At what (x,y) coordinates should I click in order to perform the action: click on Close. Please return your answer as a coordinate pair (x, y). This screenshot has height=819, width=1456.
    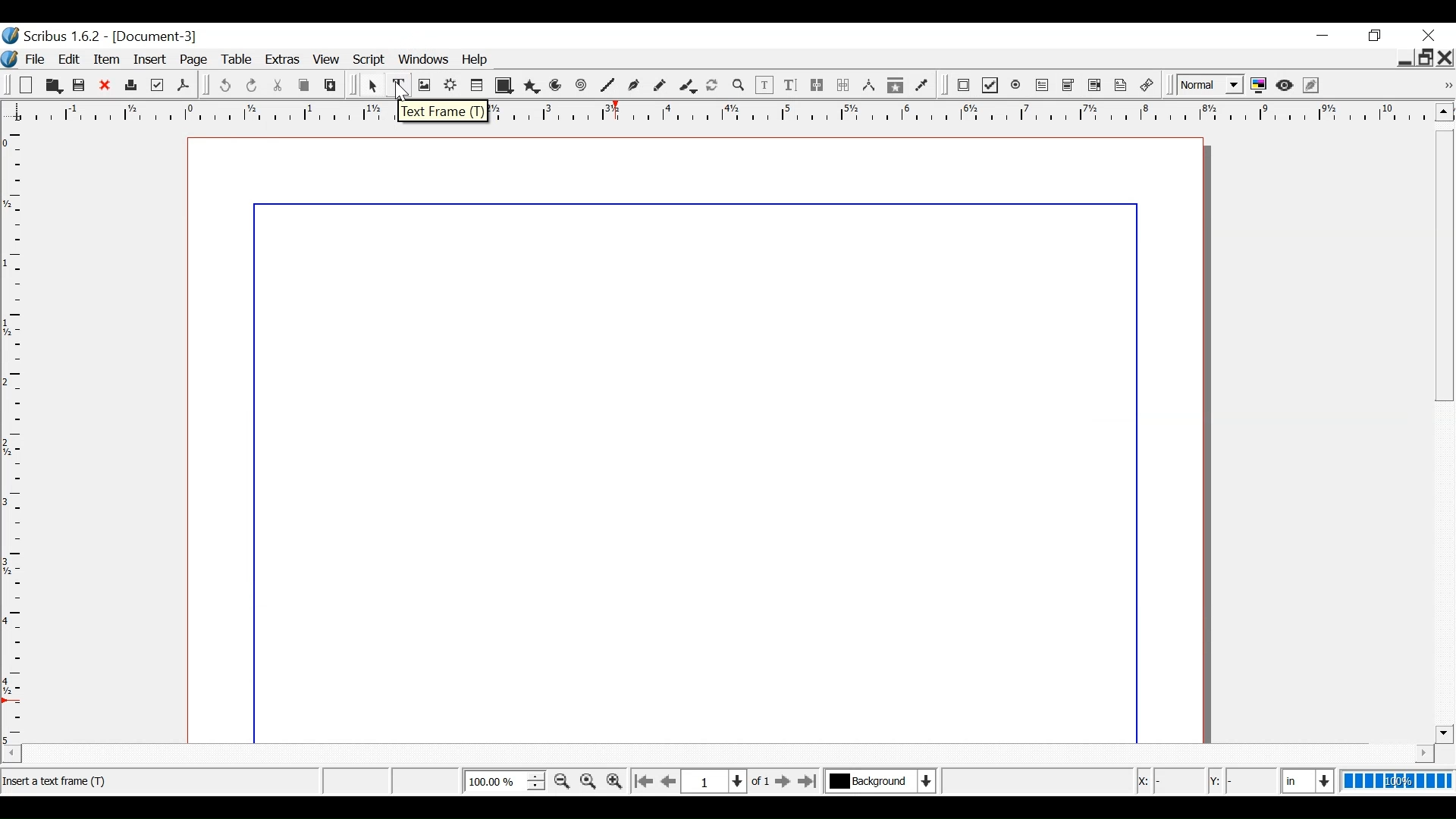
    Looking at the image, I should click on (1446, 57).